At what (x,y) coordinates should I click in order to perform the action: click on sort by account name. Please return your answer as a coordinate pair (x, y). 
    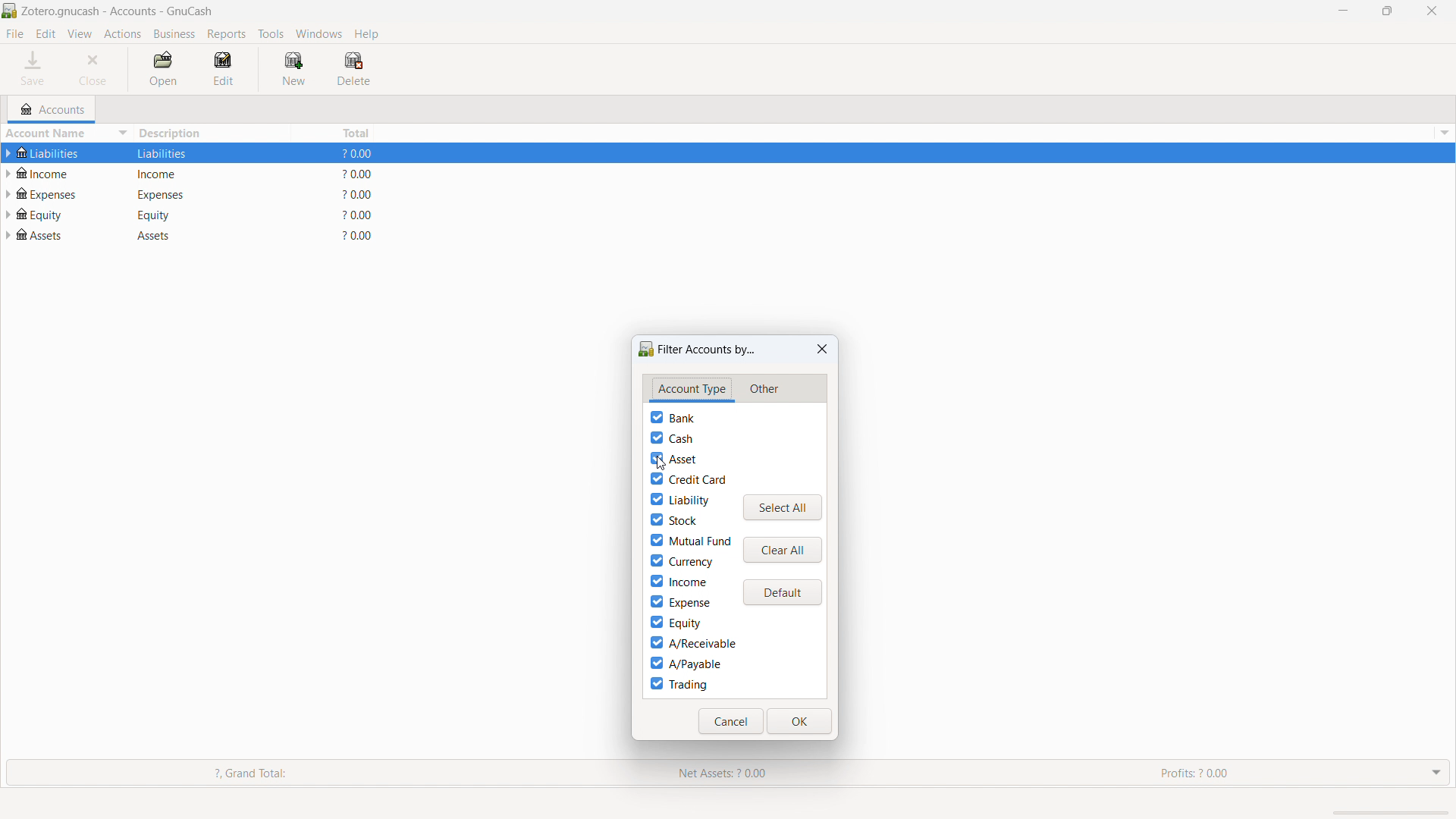
    Looking at the image, I should click on (67, 135).